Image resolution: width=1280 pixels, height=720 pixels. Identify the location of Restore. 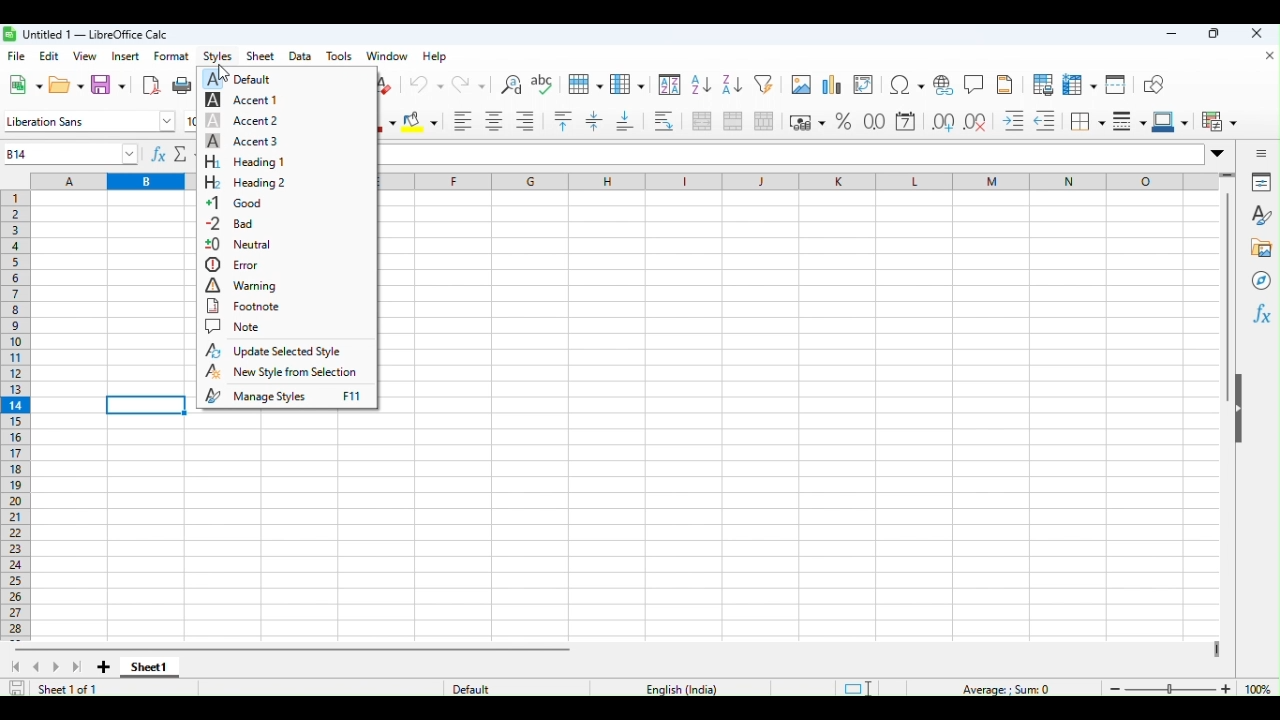
(1215, 34).